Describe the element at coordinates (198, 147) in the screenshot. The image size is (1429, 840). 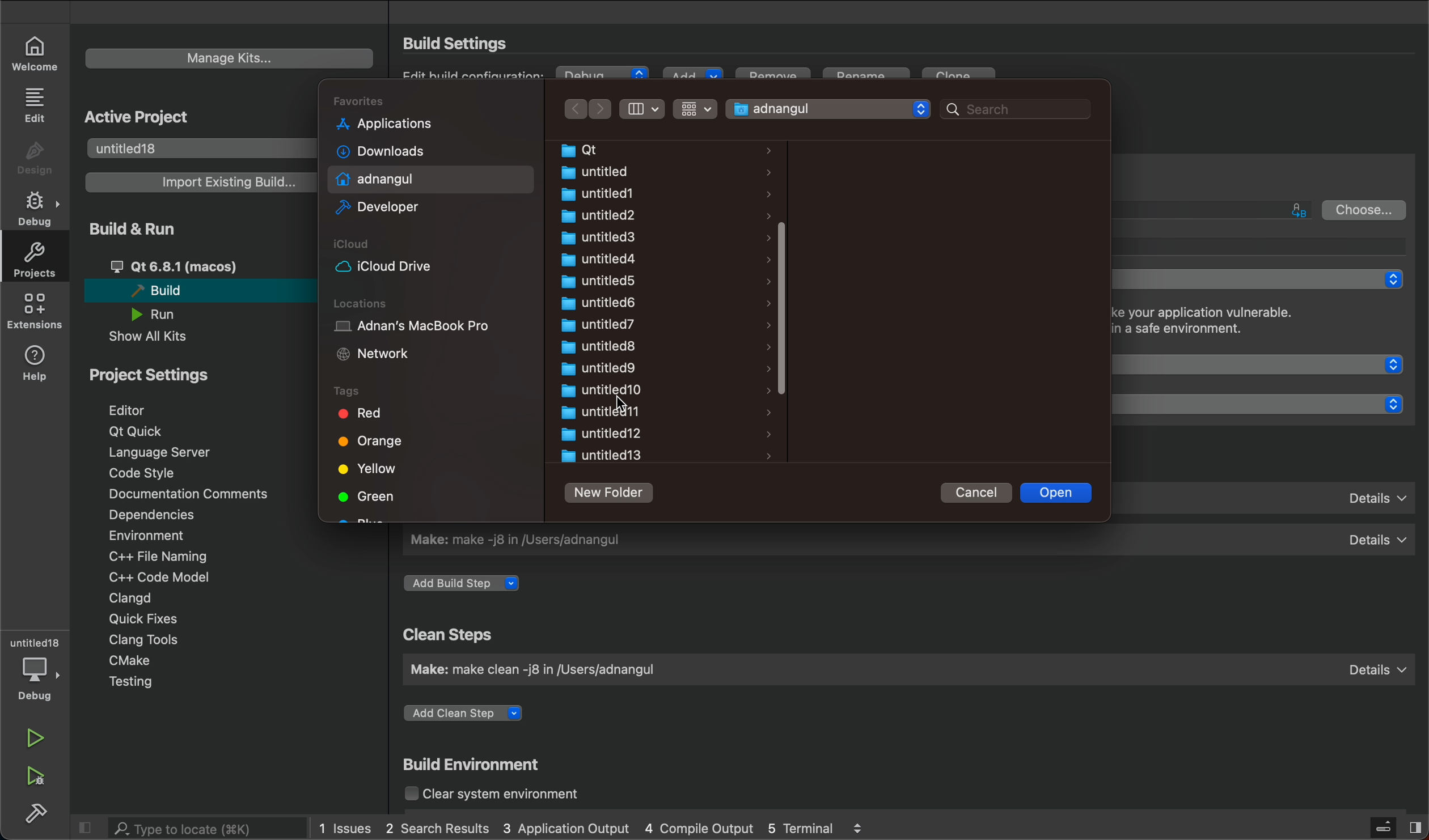
I see `untitled18` at that location.